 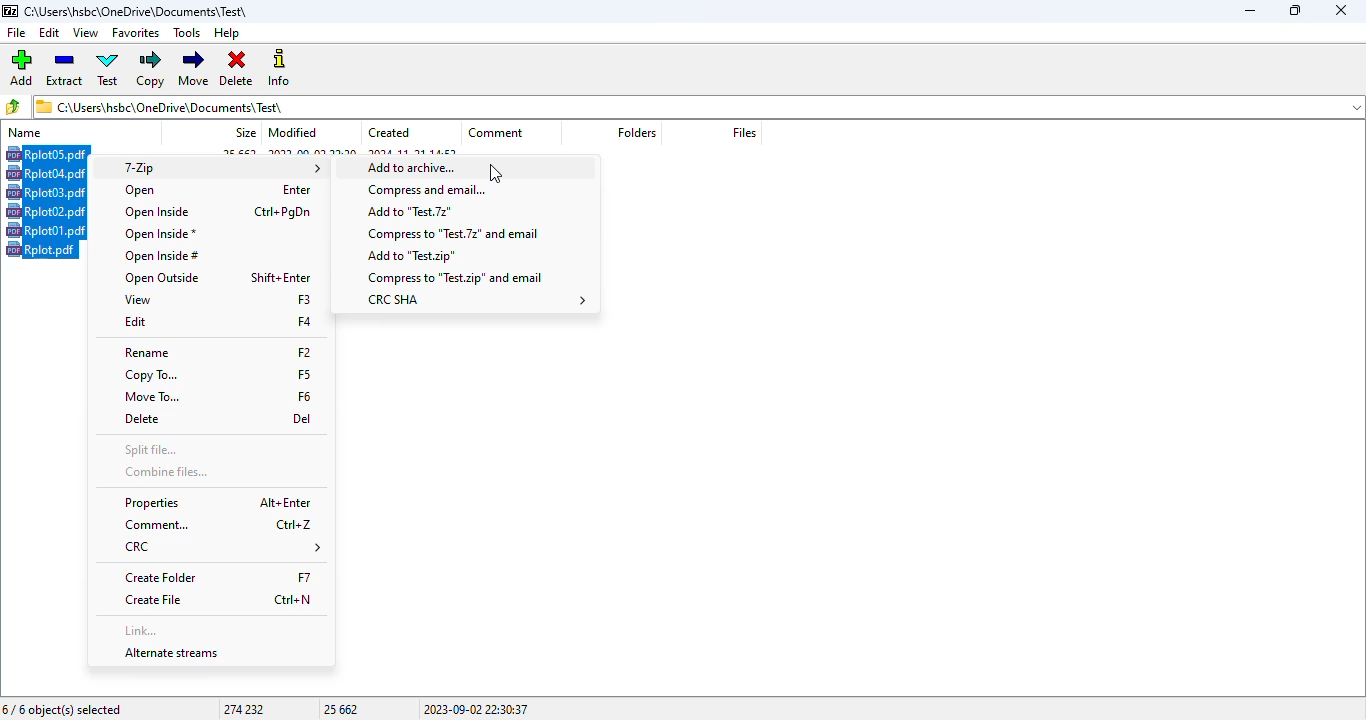 What do you see at coordinates (46, 192) in the screenshot?
I see `rplot03` at bounding box center [46, 192].